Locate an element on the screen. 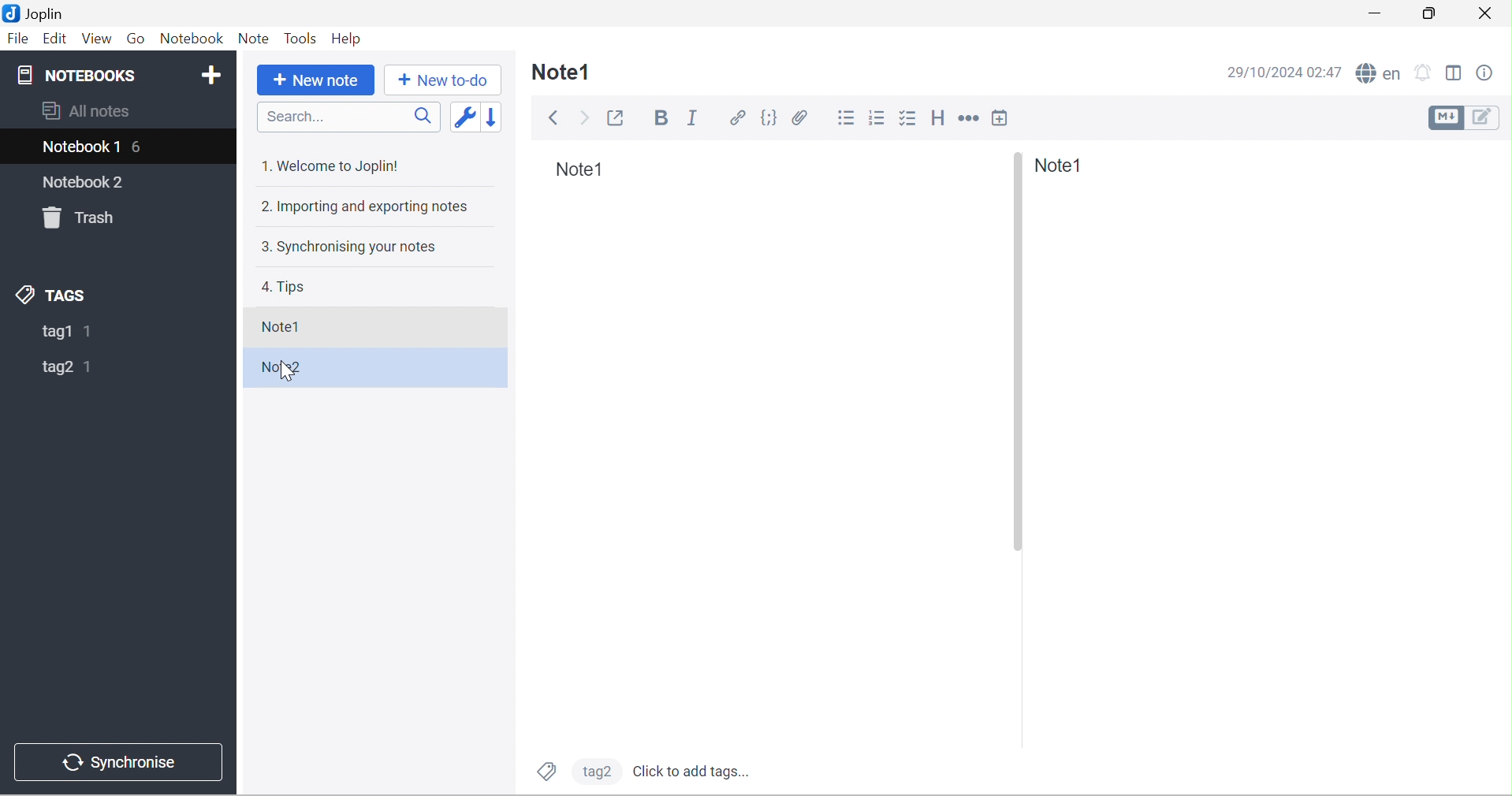 The height and width of the screenshot is (796, 1512). Hyperlink is located at coordinates (734, 120).